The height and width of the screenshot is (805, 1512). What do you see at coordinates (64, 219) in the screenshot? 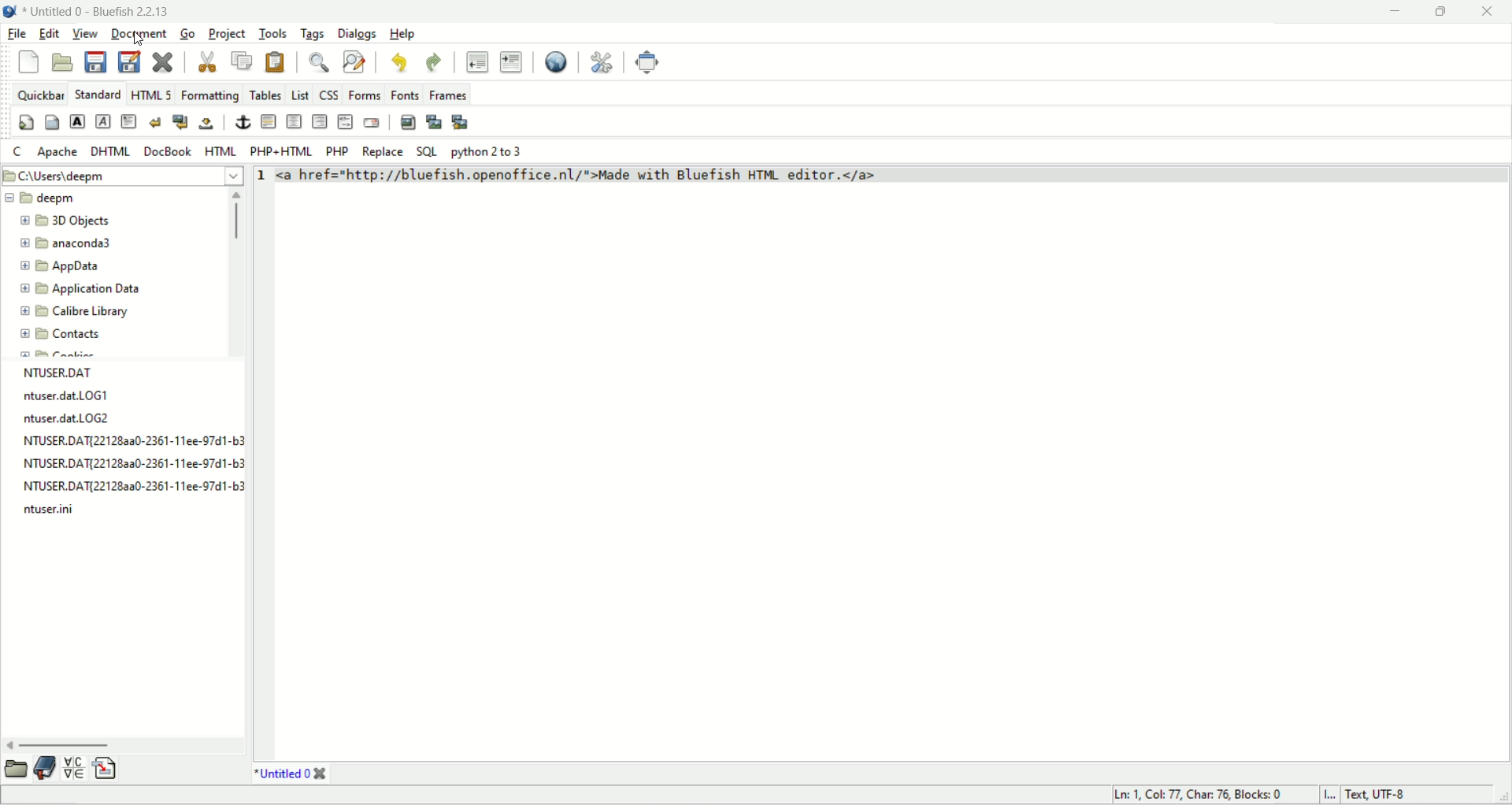
I see `3D objects` at bounding box center [64, 219].